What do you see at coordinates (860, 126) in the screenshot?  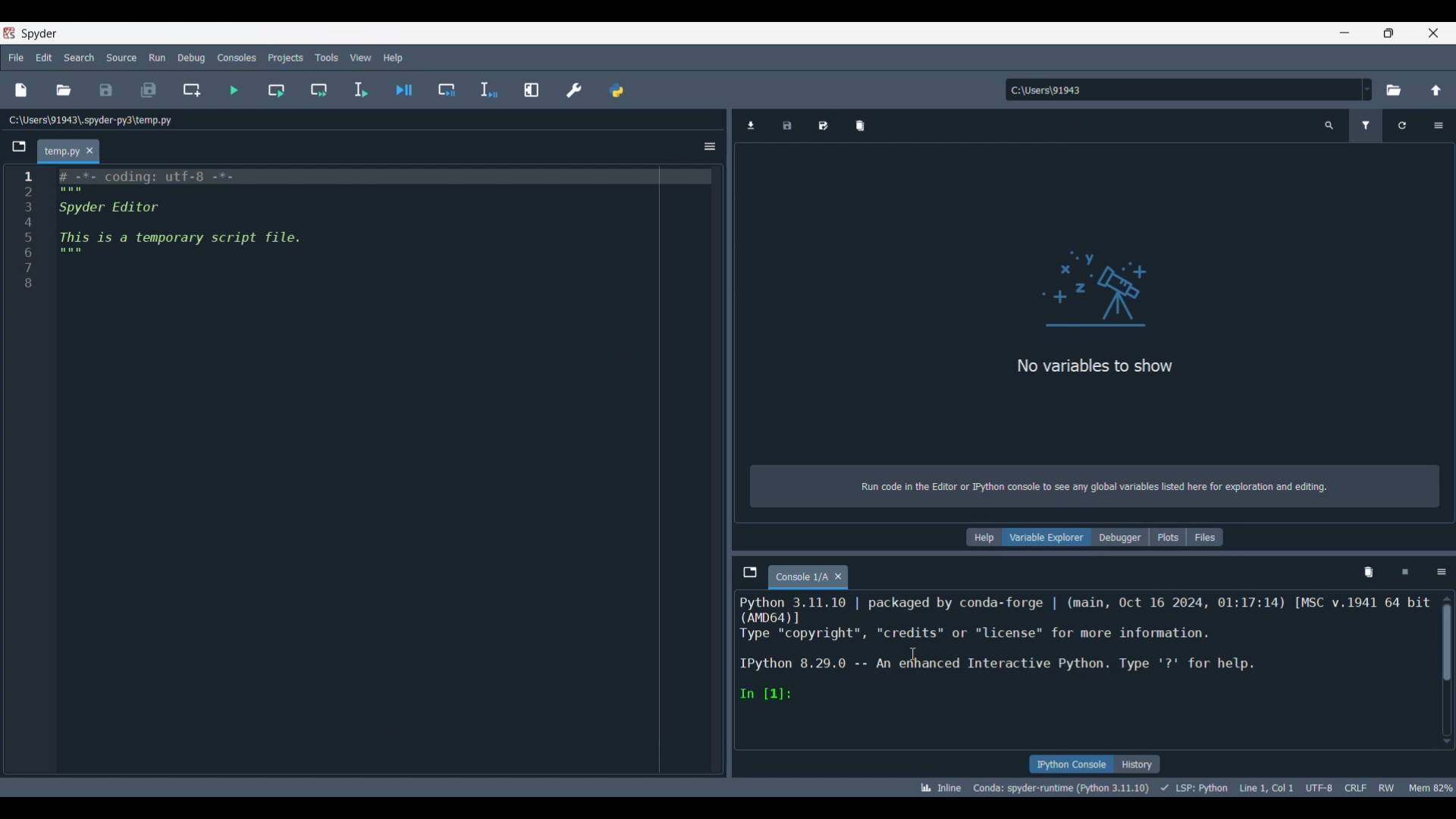 I see `Remove all variables` at bounding box center [860, 126].